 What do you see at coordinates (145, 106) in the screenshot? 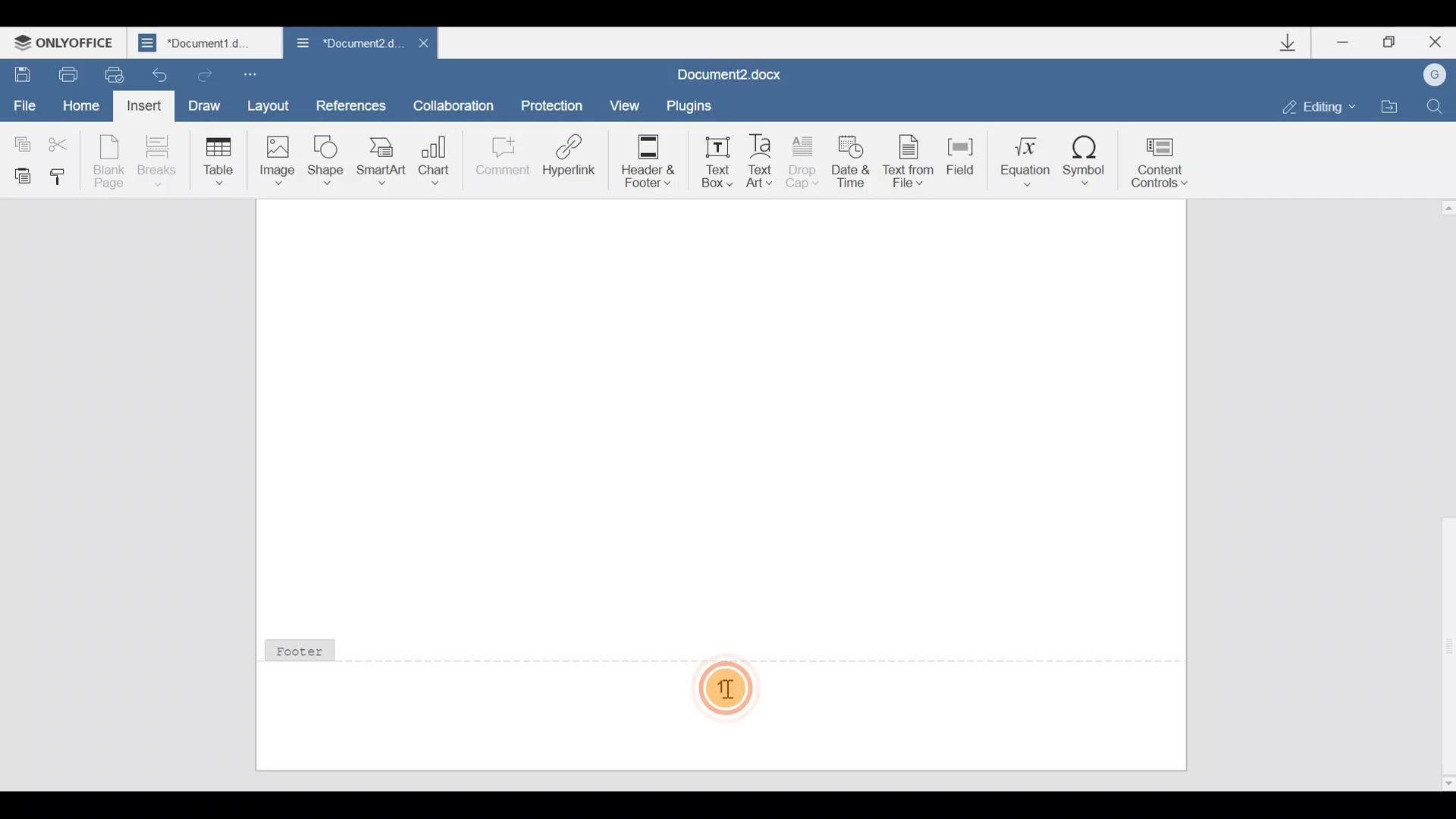
I see `Insert` at bounding box center [145, 106].